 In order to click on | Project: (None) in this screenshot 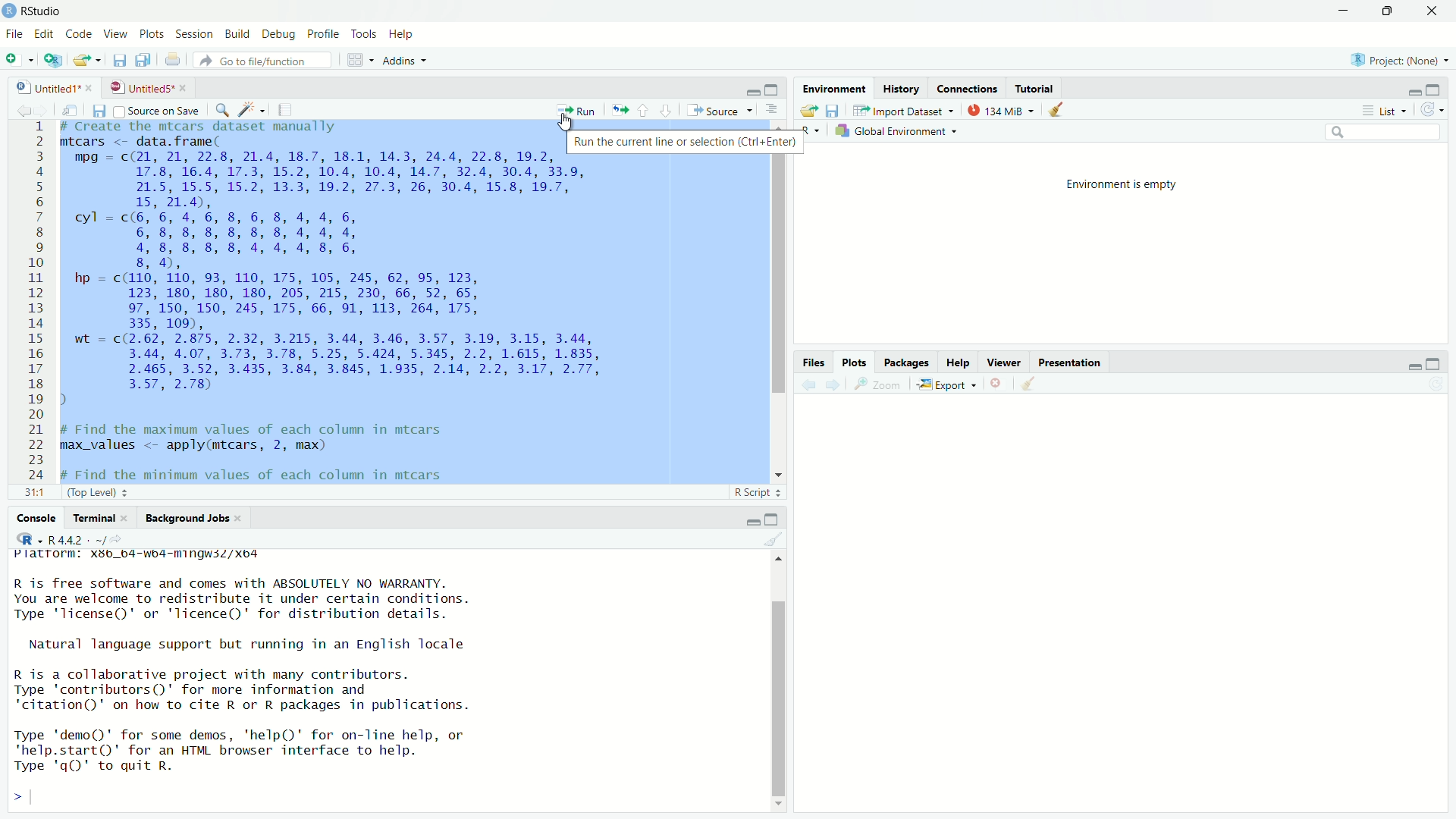, I will do `click(1397, 59)`.